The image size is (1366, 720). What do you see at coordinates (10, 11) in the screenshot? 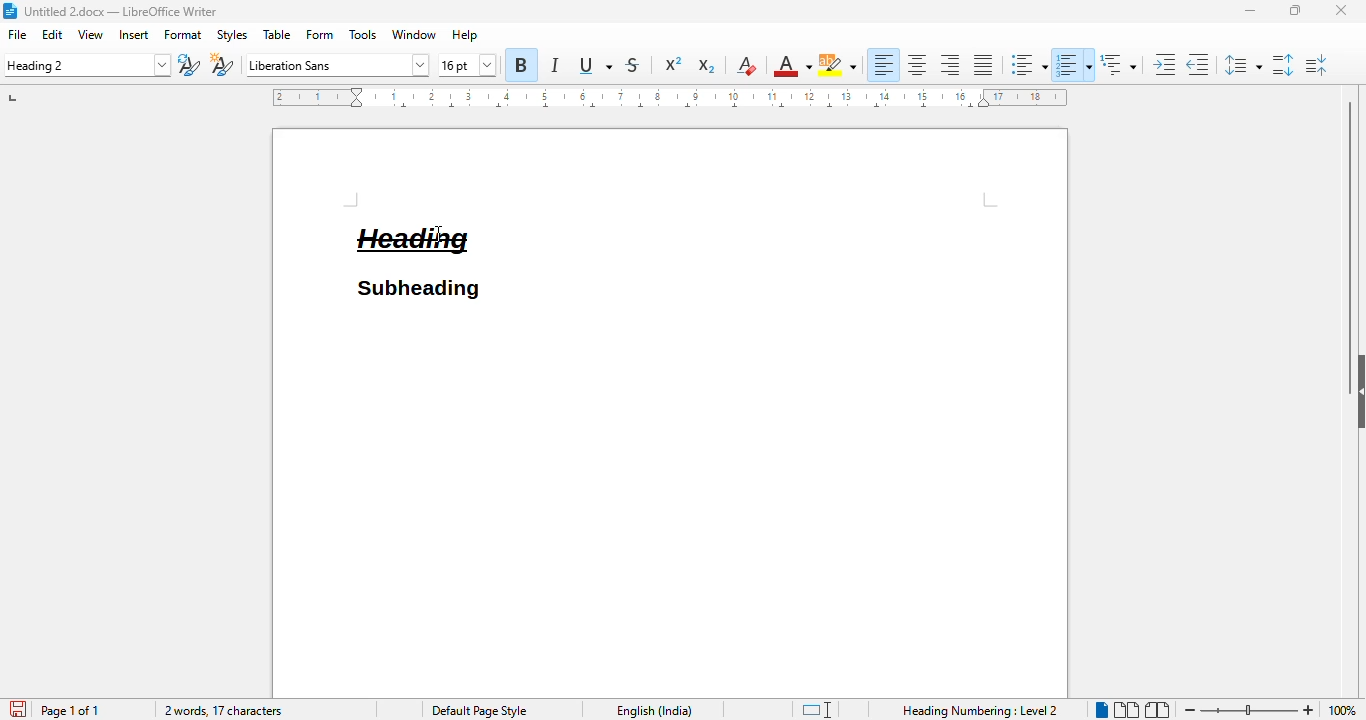
I see `logo` at bounding box center [10, 11].